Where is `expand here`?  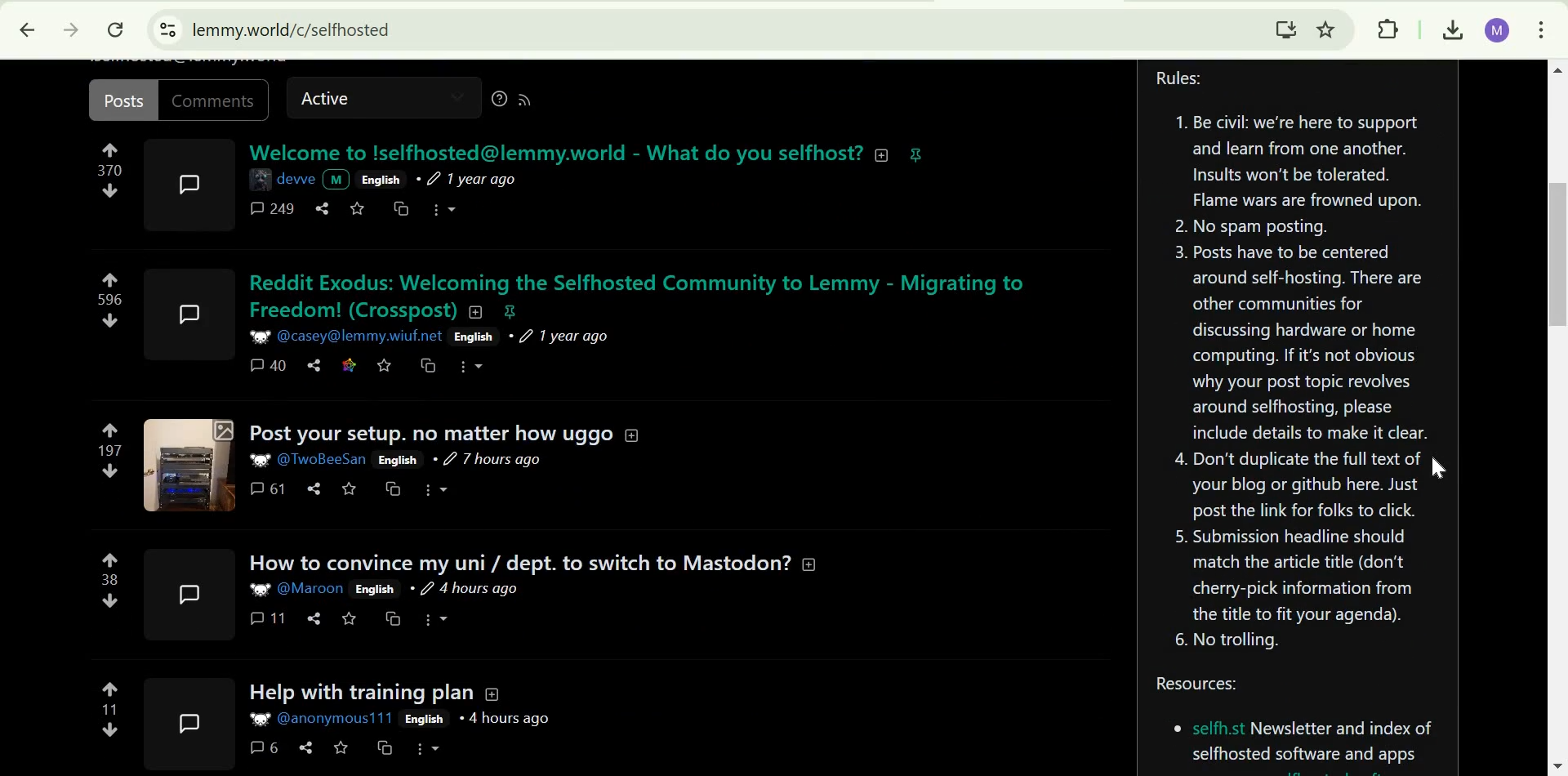 expand here is located at coordinates (185, 594).